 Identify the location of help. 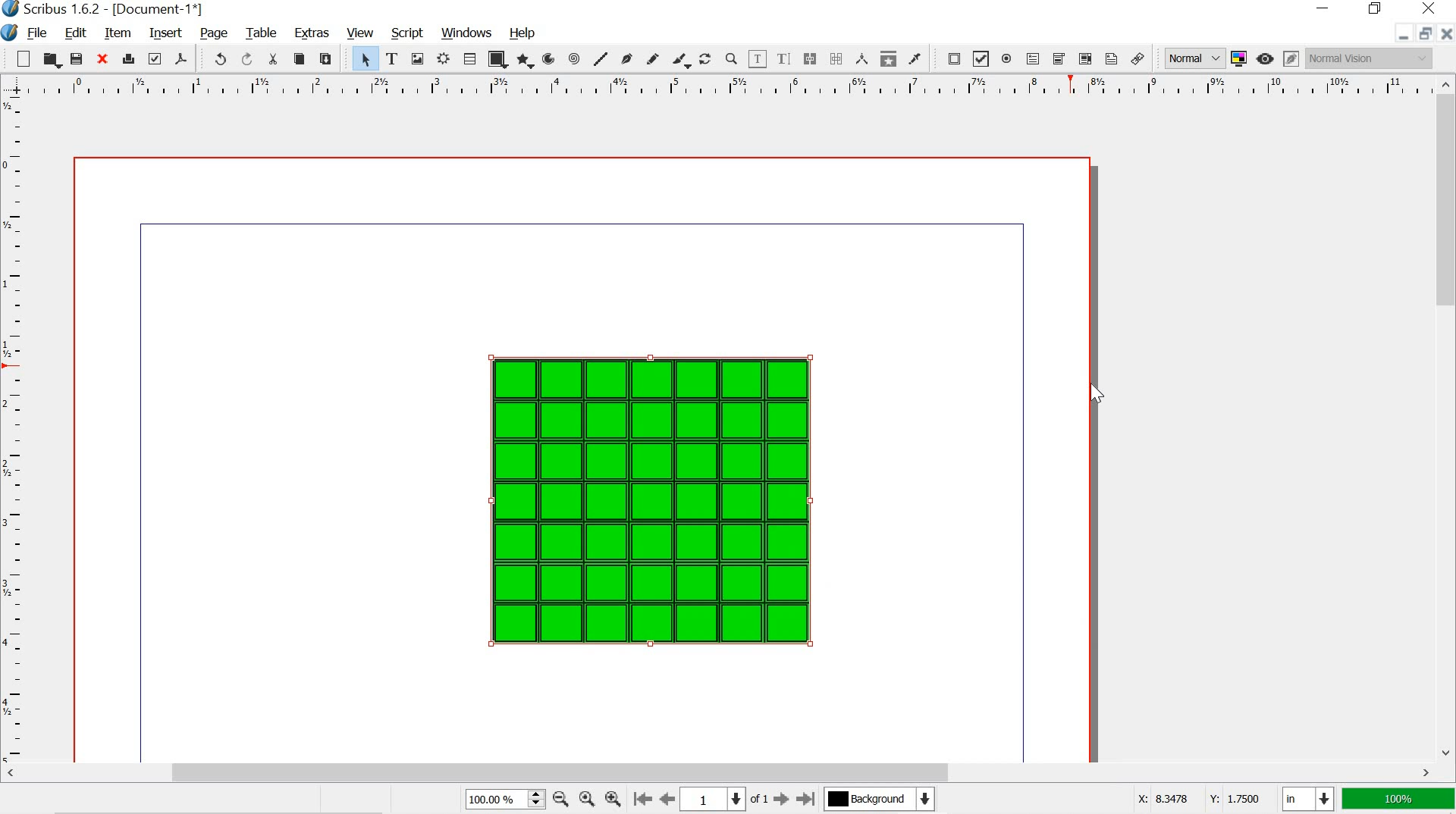
(523, 31).